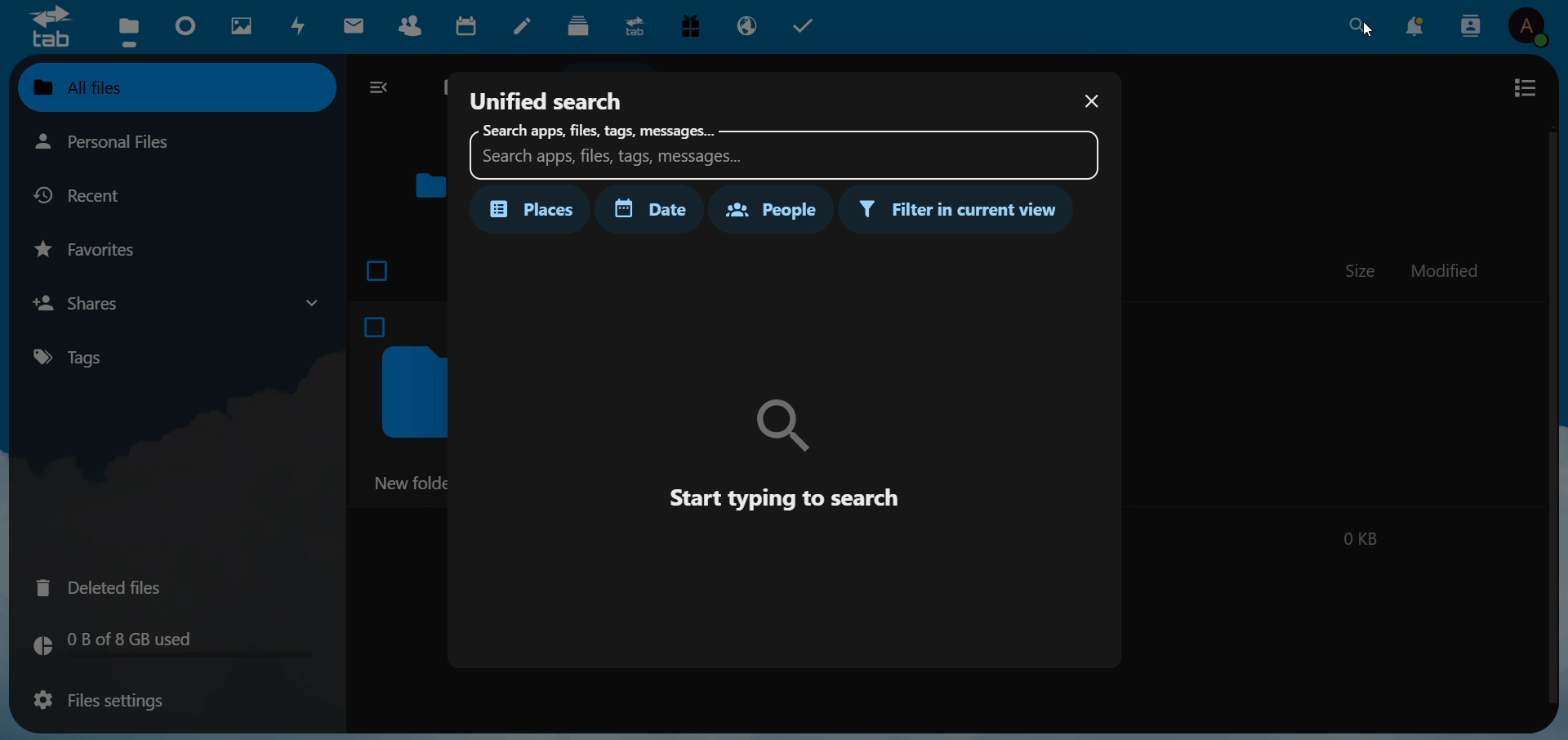 This screenshot has width=1568, height=740. What do you see at coordinates (1446, 273) in the screenshot?
I see `modified` at bounding box center [1446, 273].